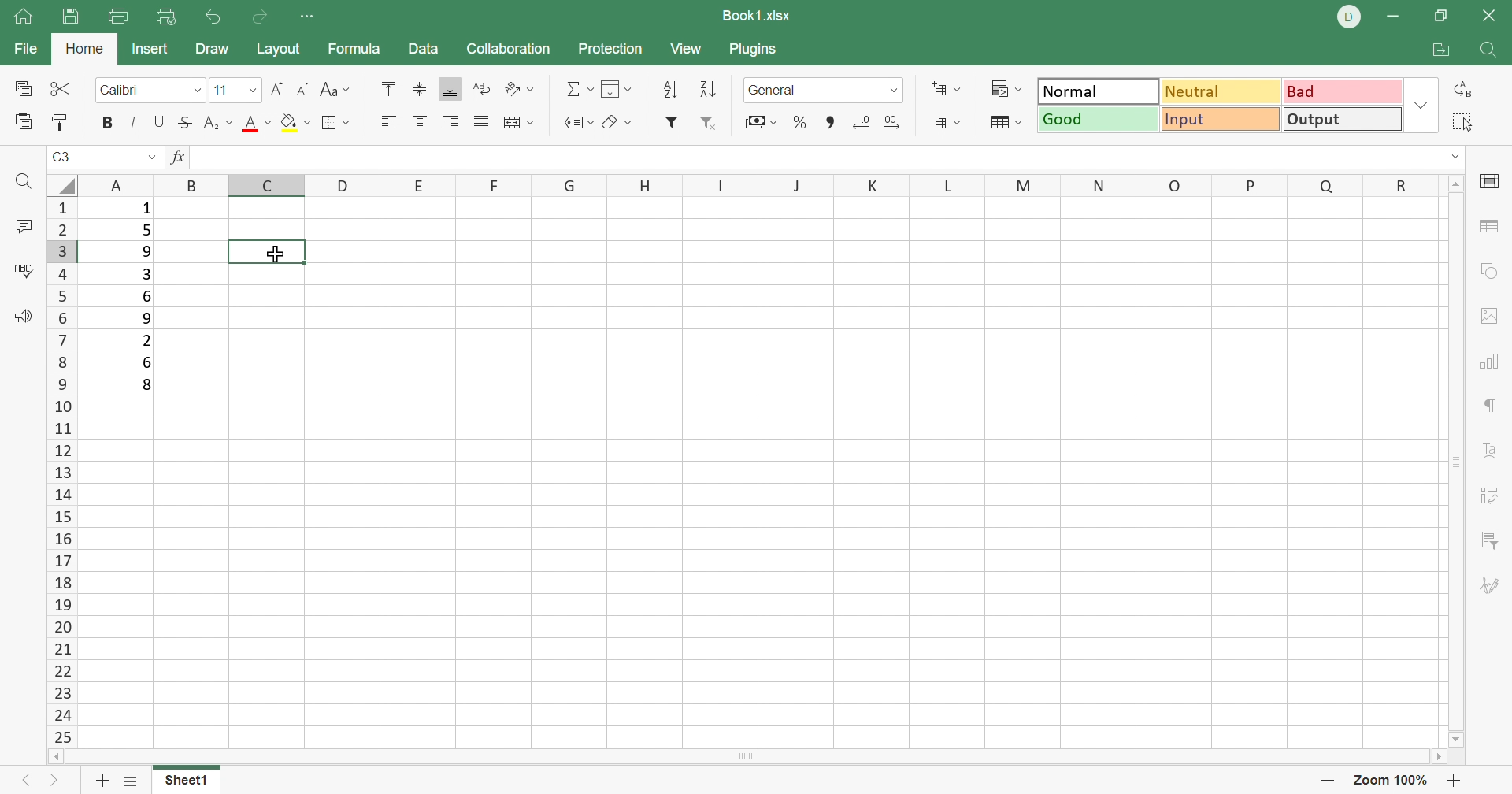 The height and width of the screenshot is (794, 1512). What do you see at coordinates (190, 783) in the screenshot?
I see `Sheet1` at bounding box center [190, 783].